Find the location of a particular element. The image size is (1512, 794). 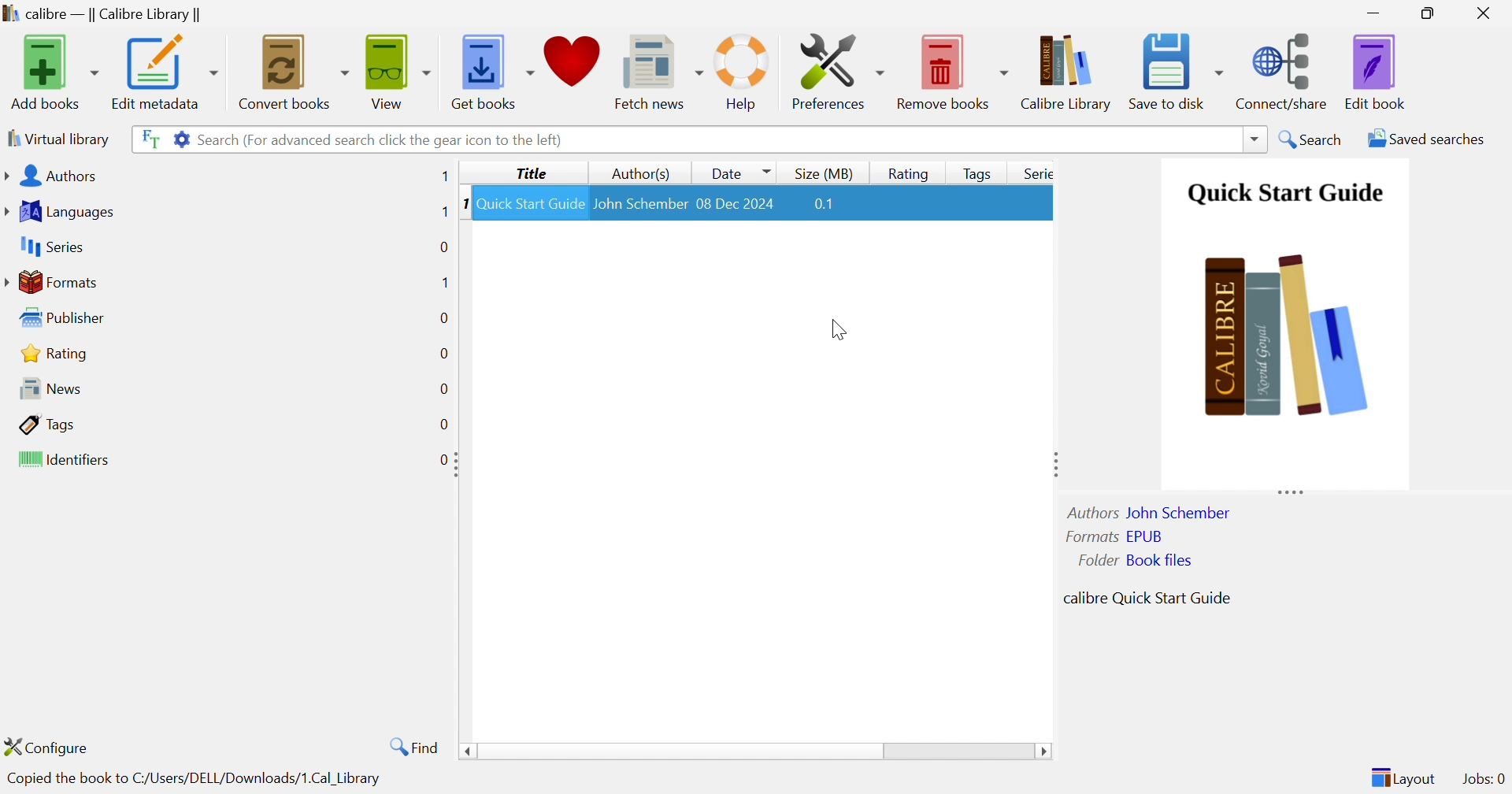

Layout is located at coordinates (1402, 777).